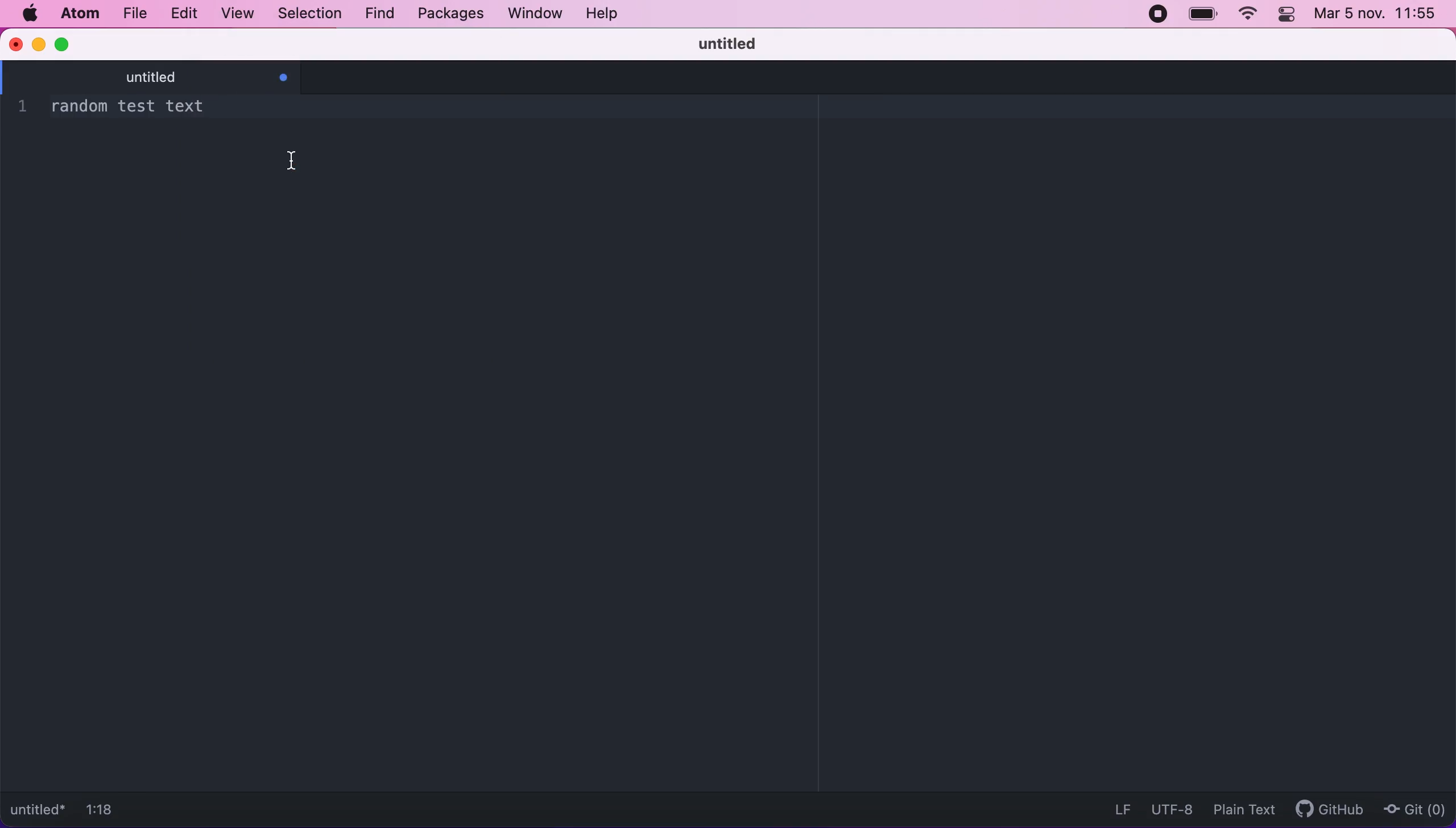 The width and height of the screenshot is (1456, 828). I want to click on untitled, so click(722, 42).